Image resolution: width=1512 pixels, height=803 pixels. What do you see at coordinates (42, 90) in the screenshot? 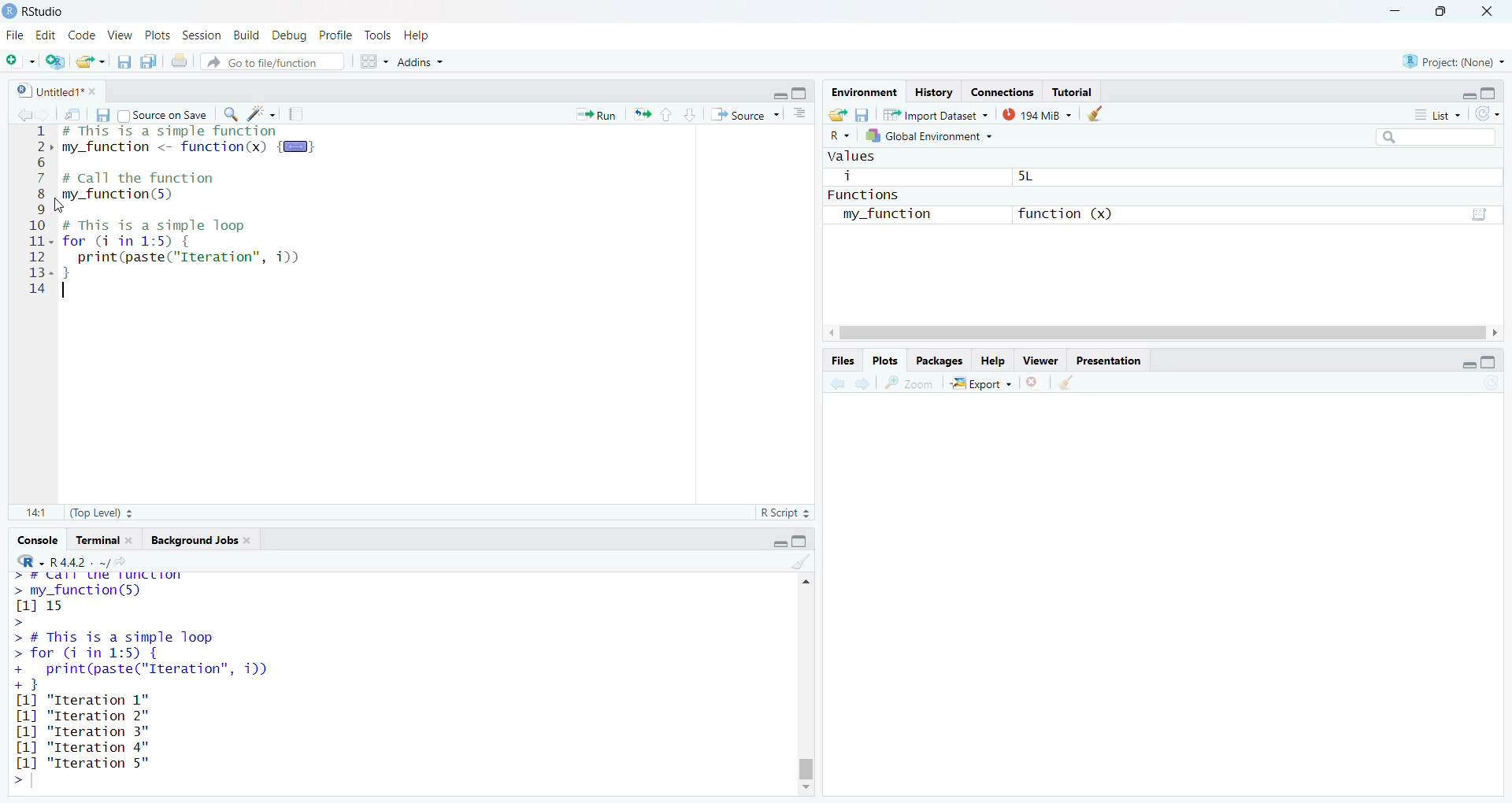
I see `untitled` at bounding box center [42, 90].